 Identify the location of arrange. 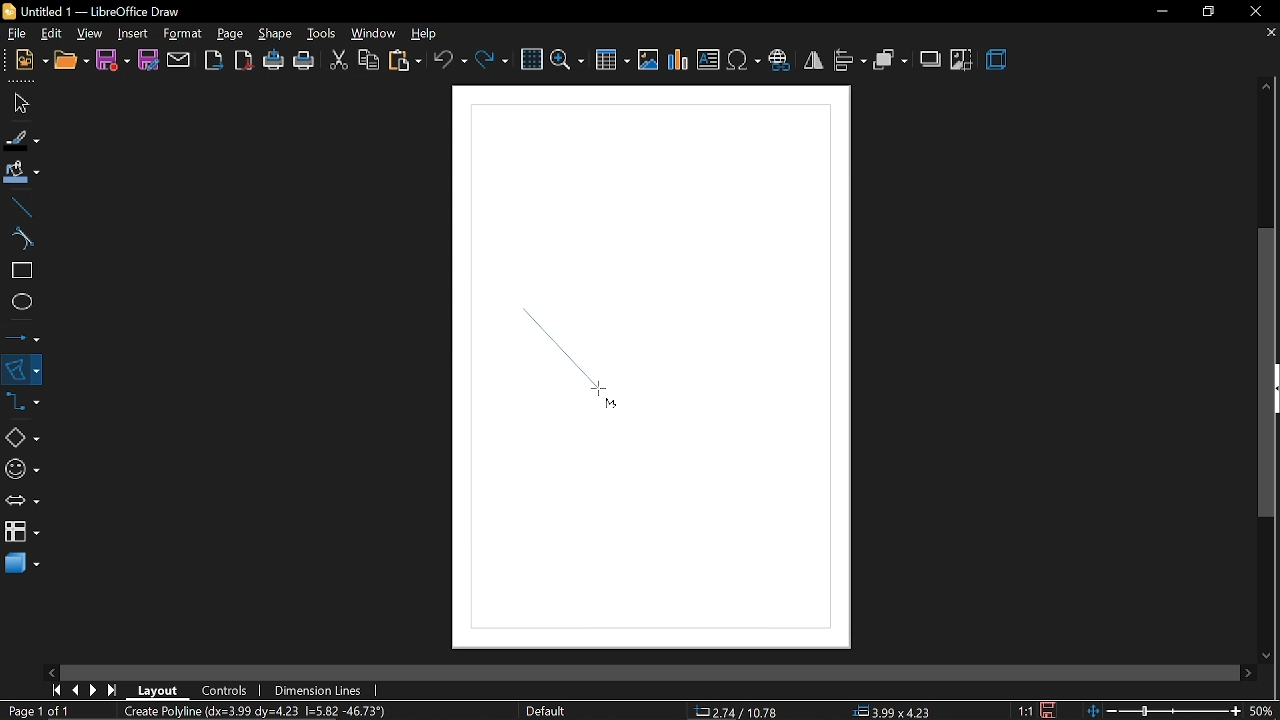
(890, 59).